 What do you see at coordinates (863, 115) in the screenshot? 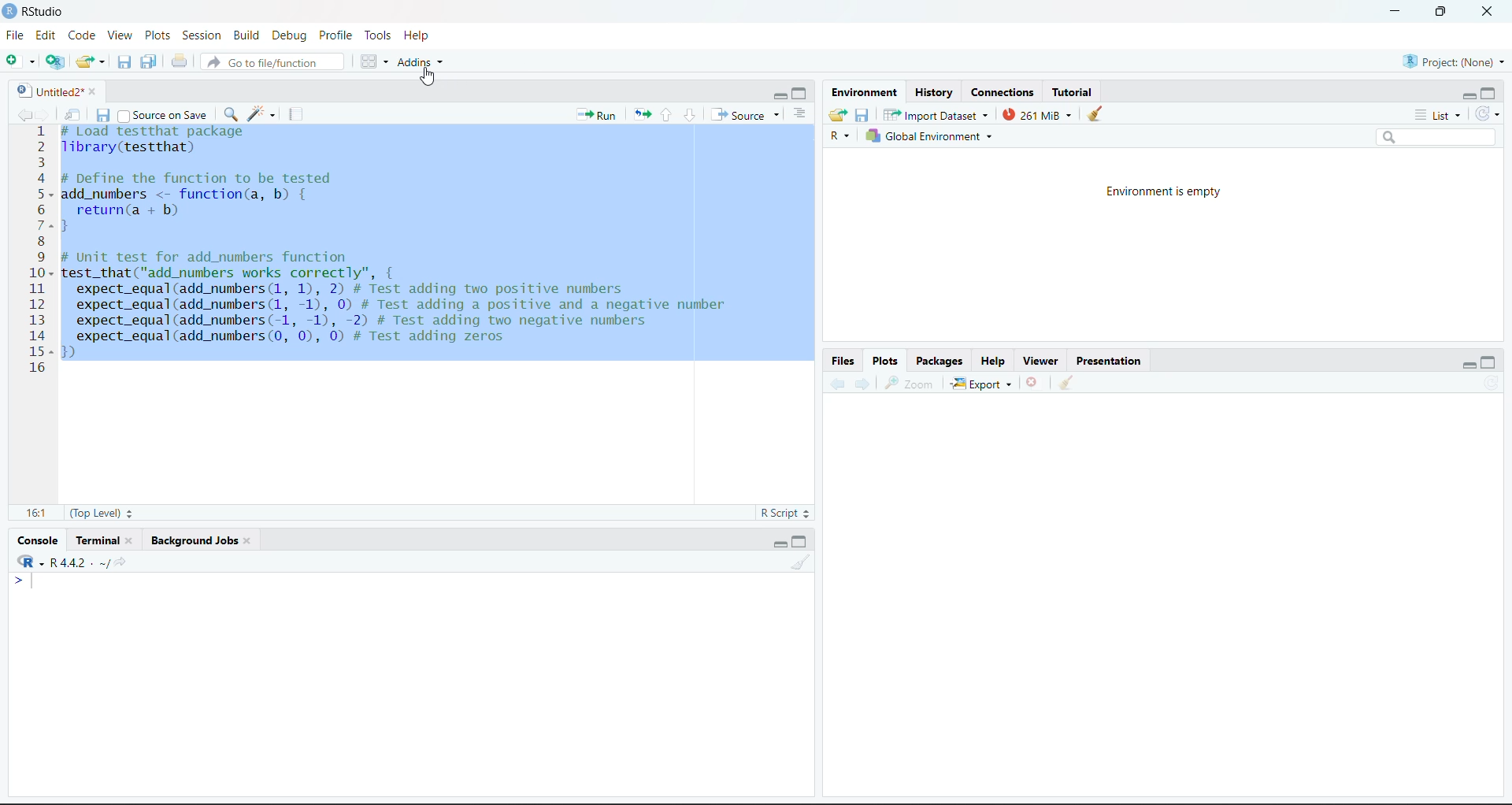
I see `Save` at bounding box center [863, 115].